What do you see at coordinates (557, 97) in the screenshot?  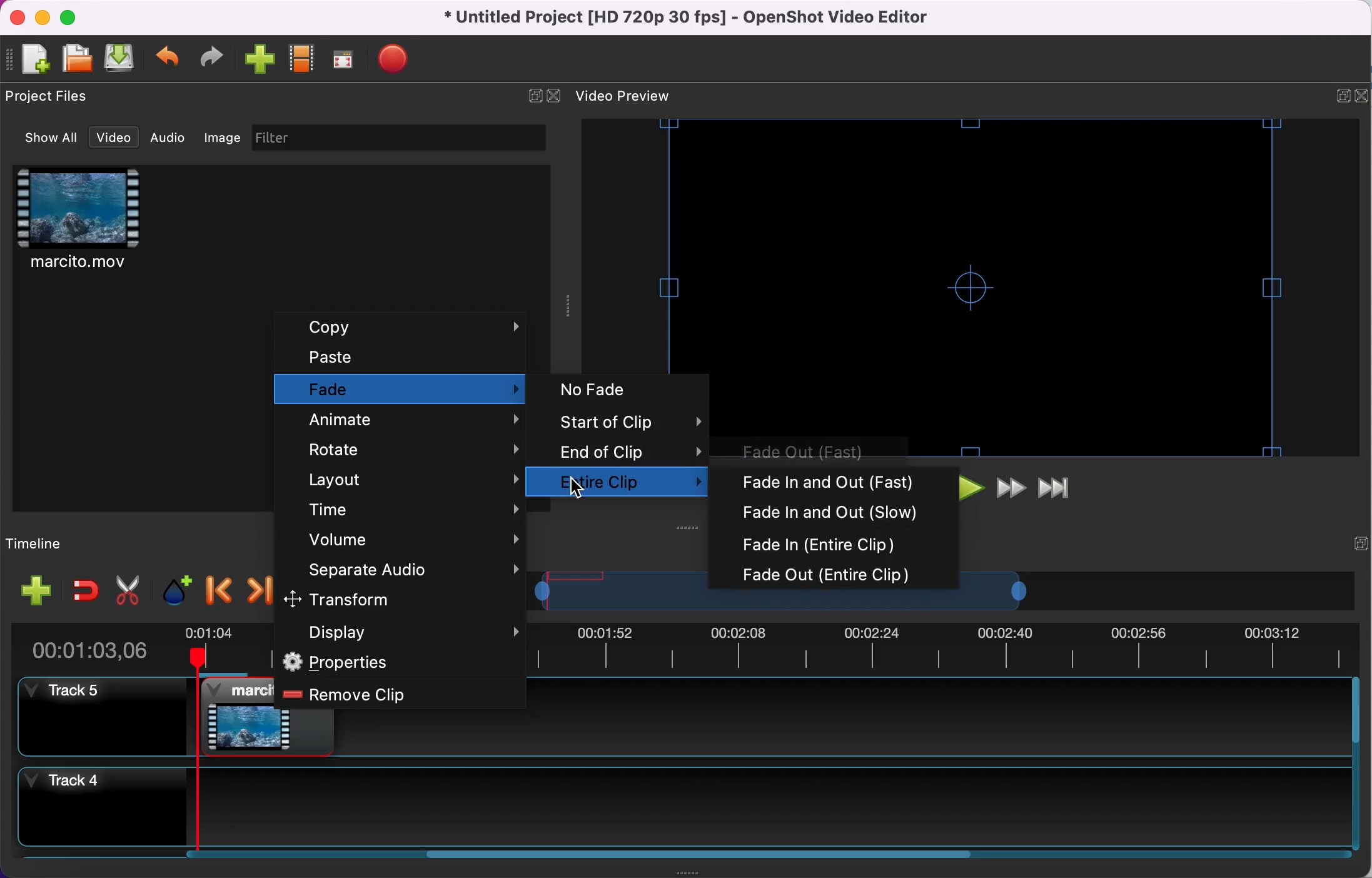 I see `close` at bounding box center [557, 97].